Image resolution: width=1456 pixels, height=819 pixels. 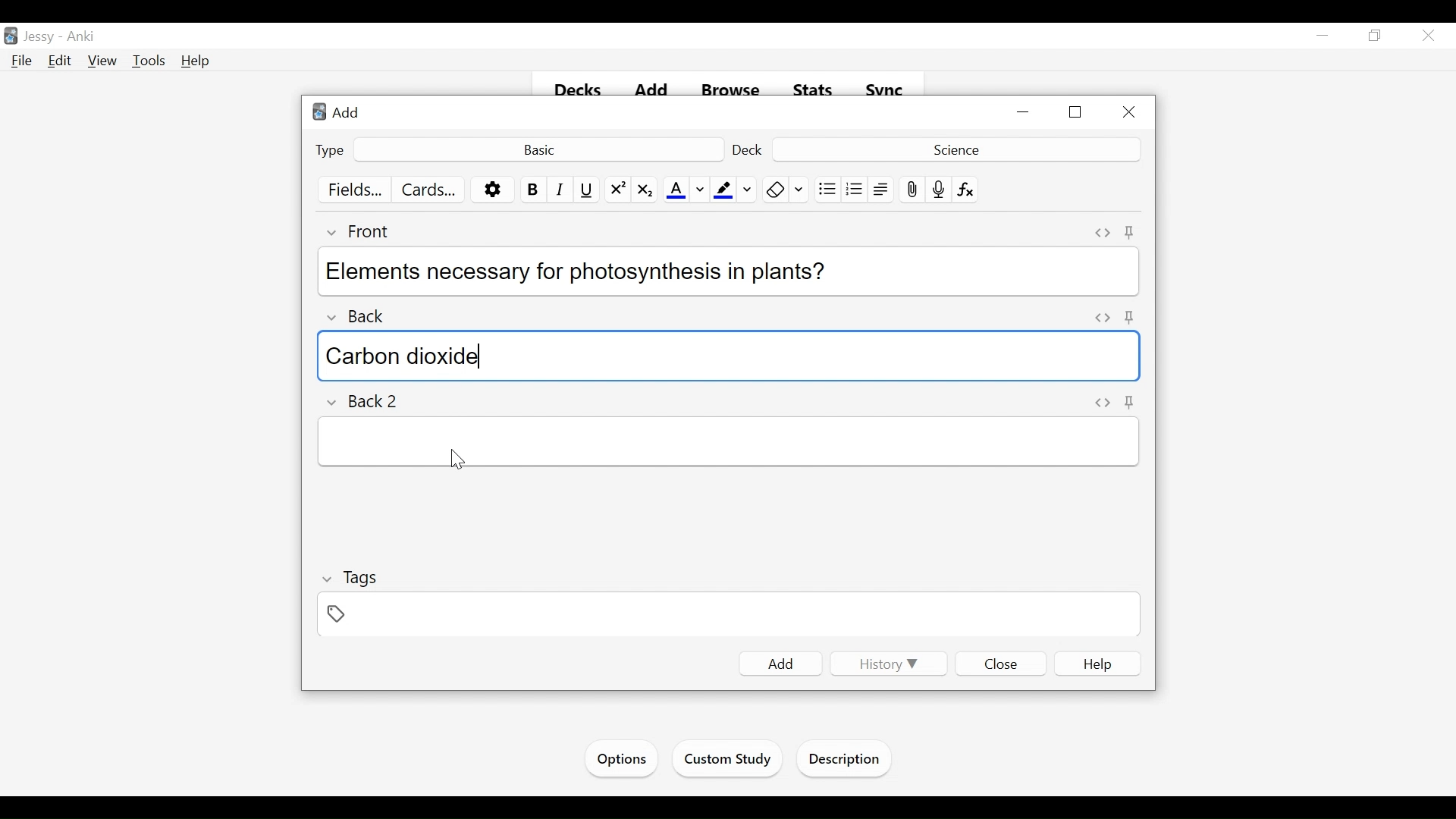 I want to click on Add, so click(x=654, y=91).